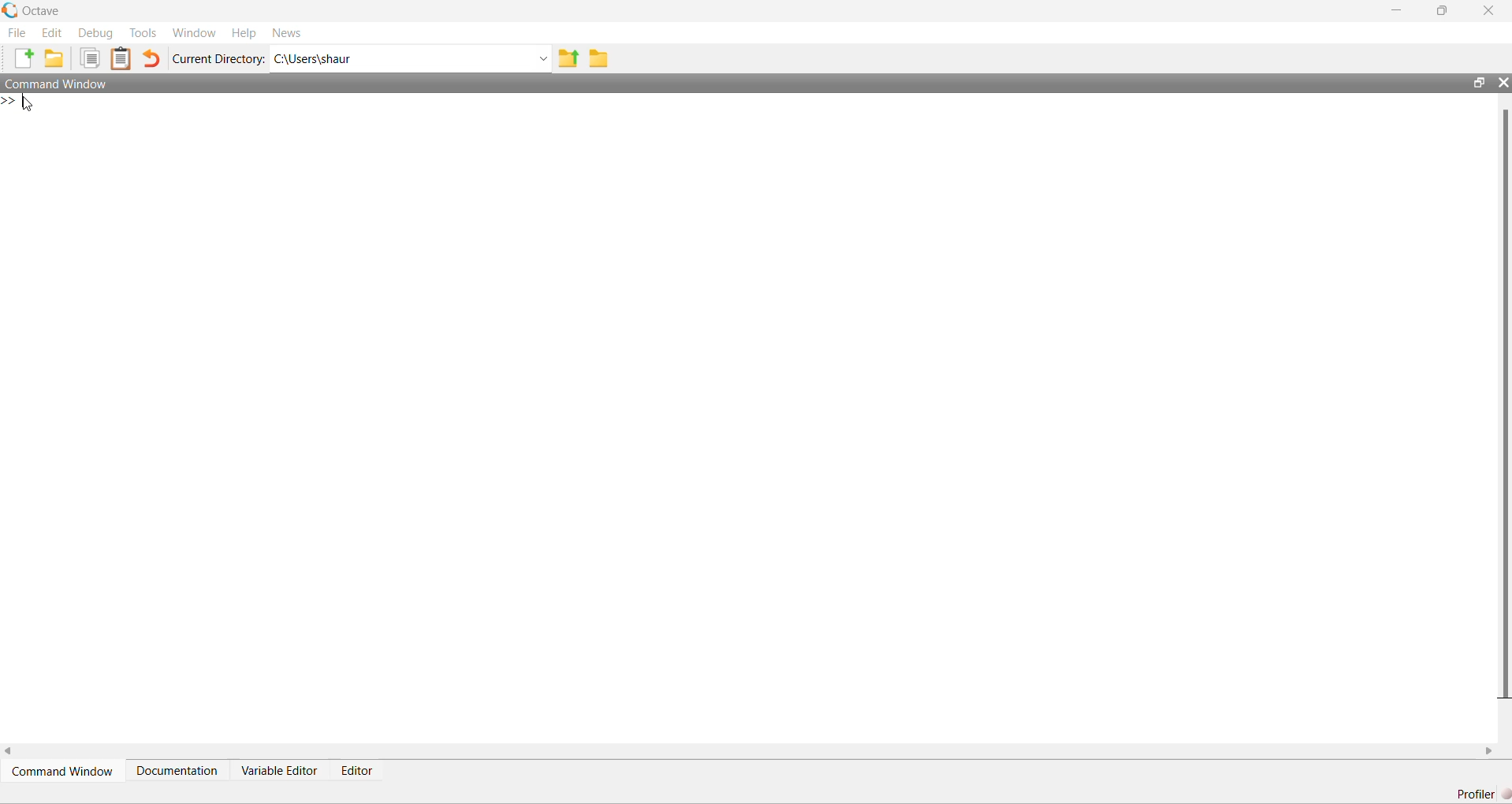  I want to click on copy, so click(90, 58).